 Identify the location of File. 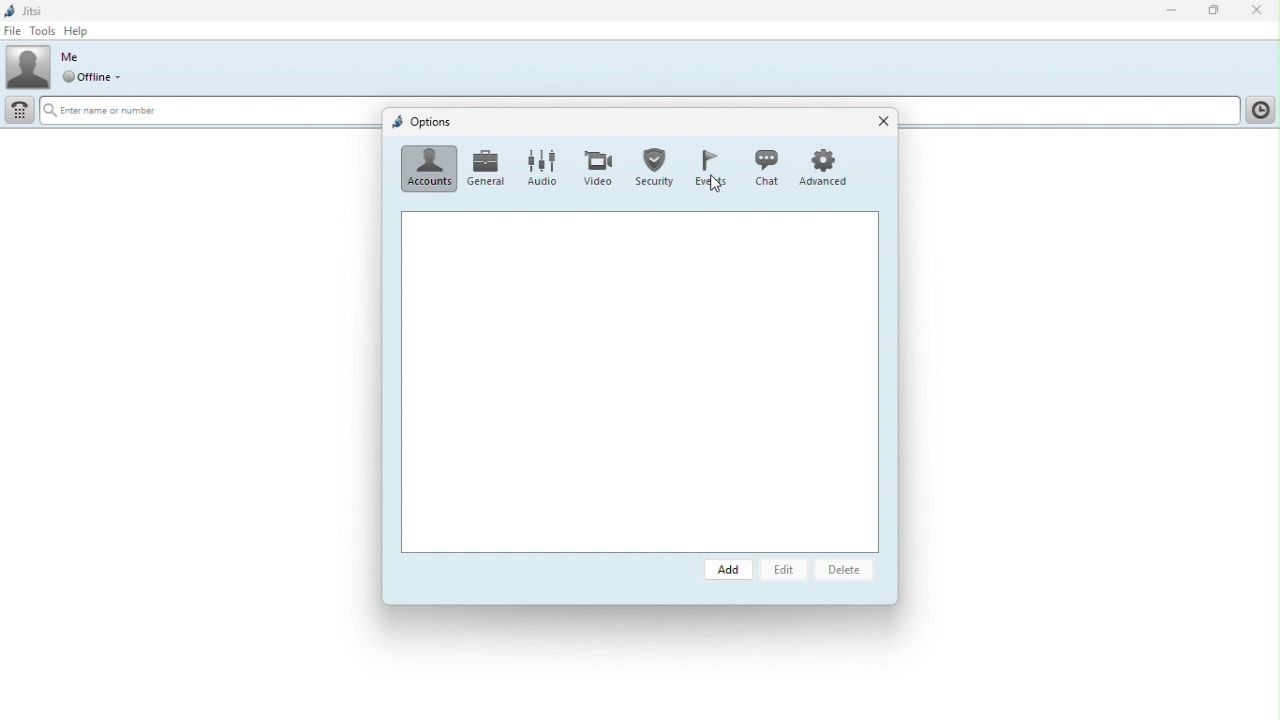
(12, 31).